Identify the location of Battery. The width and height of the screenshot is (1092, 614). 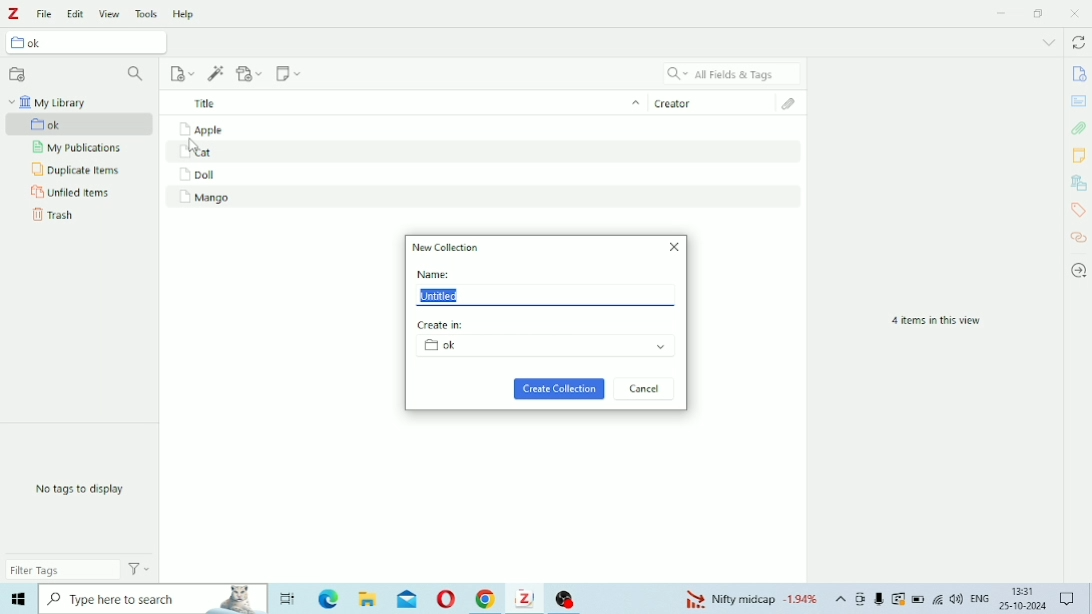
(918, 599).